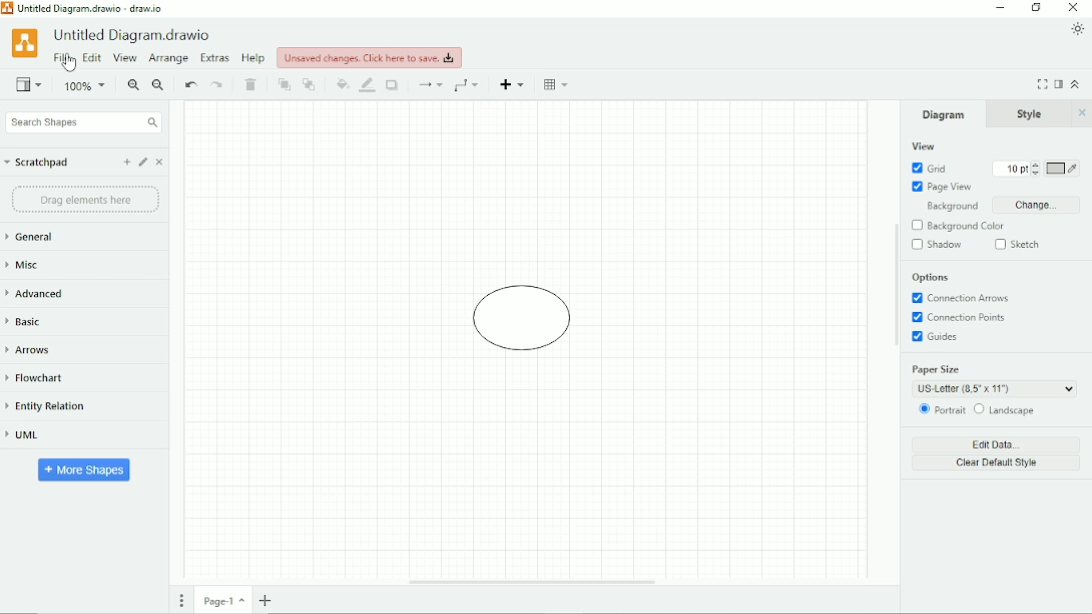 This screenshot has width=1092, height=614. What do you see at coordinates (998, 444) in the screenshot?
I see `Edit Data` at bounding box center [998, 444].